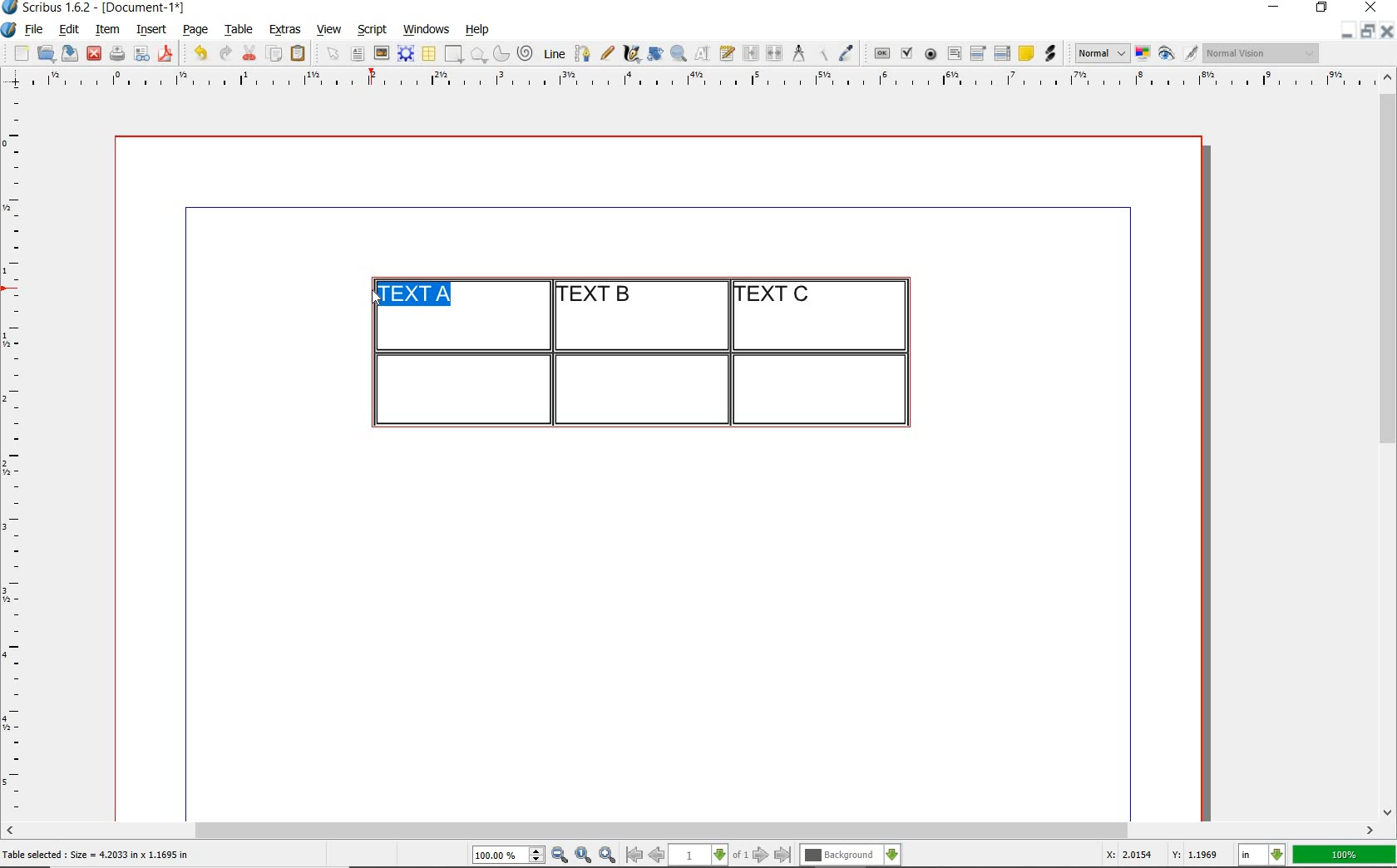 Image resolution: width=1397 pixels, height=868 pixels. Describe the element at coordinates (224, 52) in the screenshot. I see `redo` at that location.